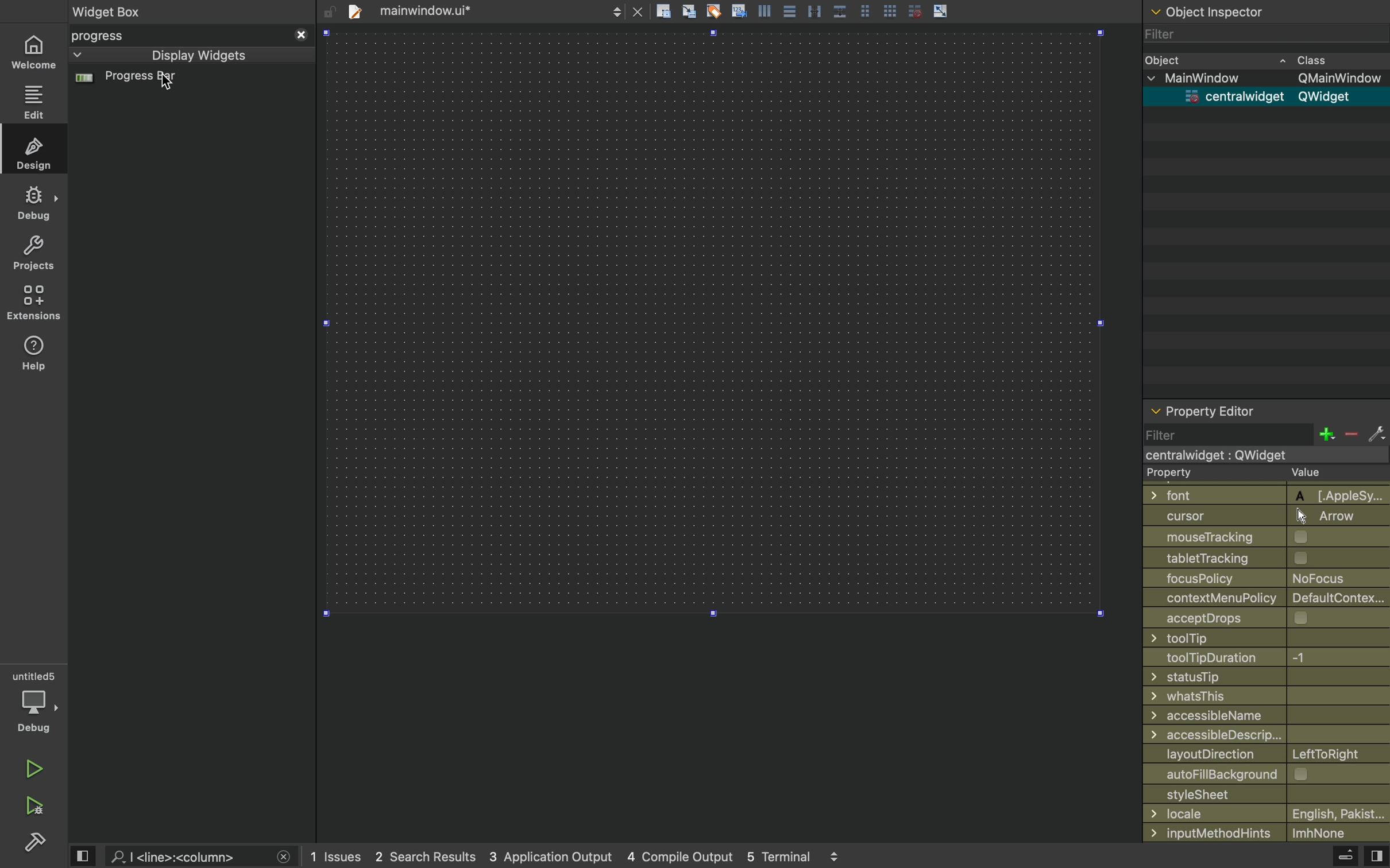 This screenshot has height=868, width=1390. What do you see at coordinates (33, 53) in the screenshot?
I see `home` at bounding box center [33, 53].